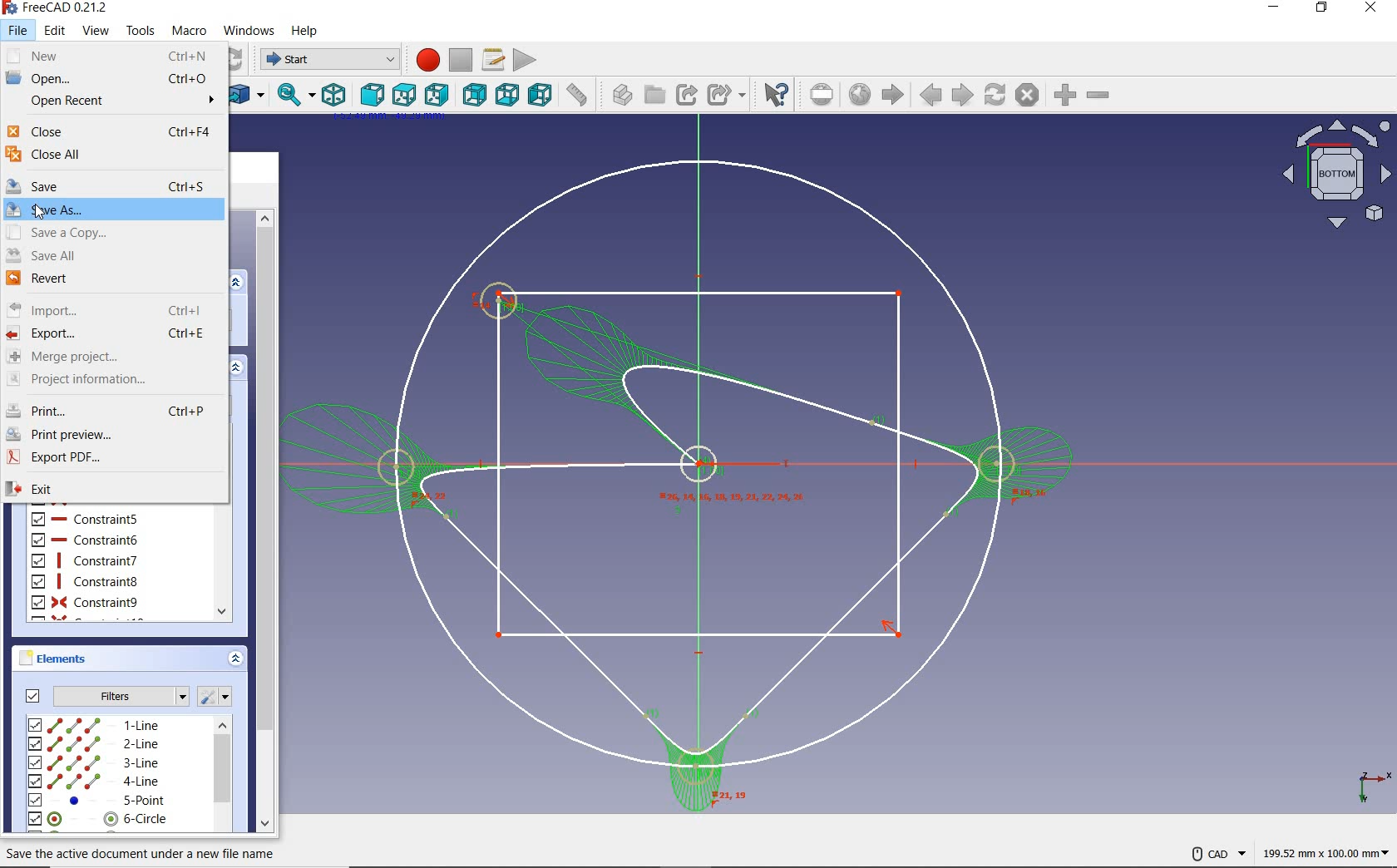  What do you see at coordinates (86, 540) in the screenshot?
I see `constraint6` at bounding box center [86, 540].